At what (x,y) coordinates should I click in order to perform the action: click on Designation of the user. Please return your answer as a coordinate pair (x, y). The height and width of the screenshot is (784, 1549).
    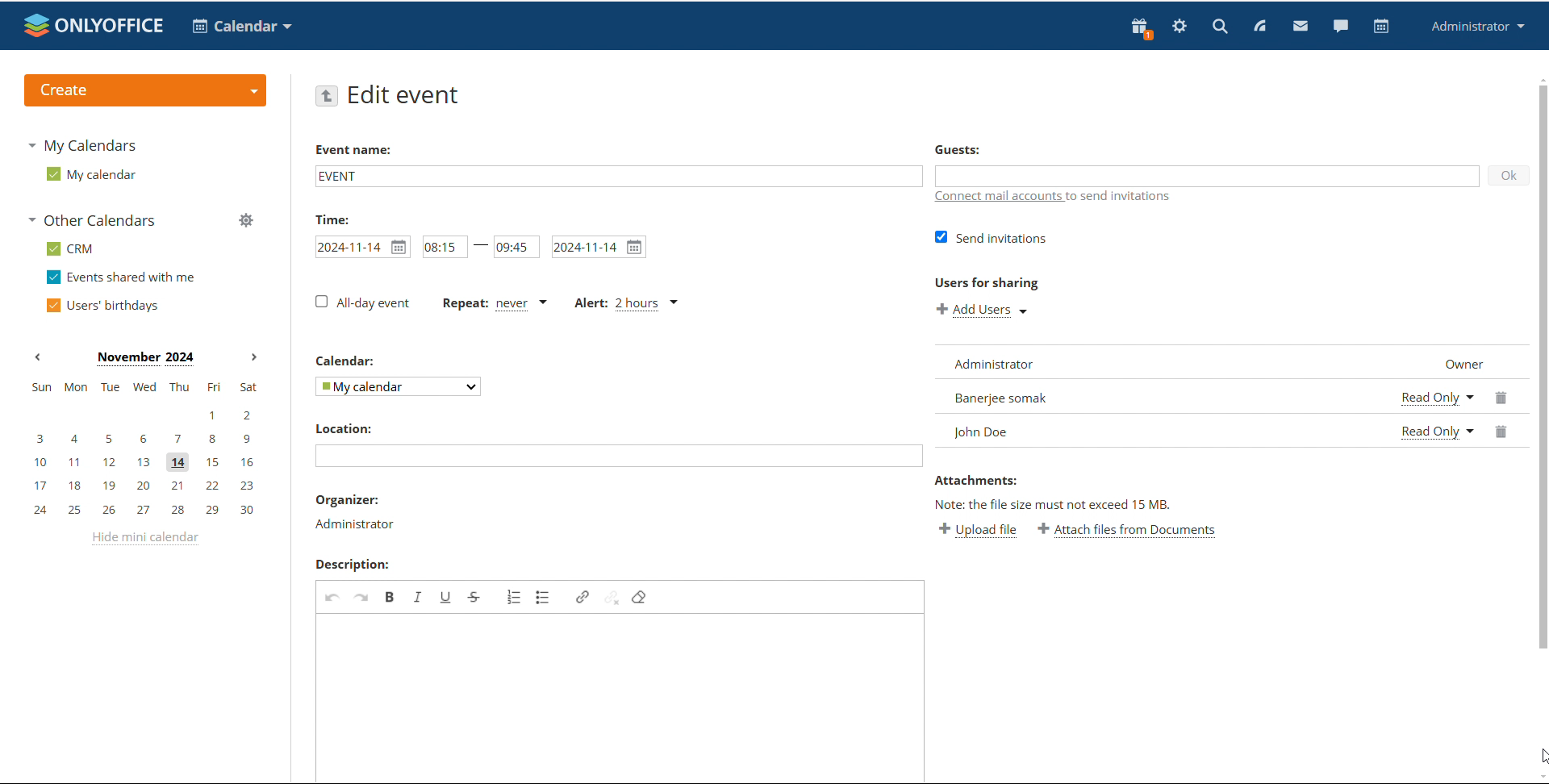
    Looking at the image, I should click on (1464, 364).